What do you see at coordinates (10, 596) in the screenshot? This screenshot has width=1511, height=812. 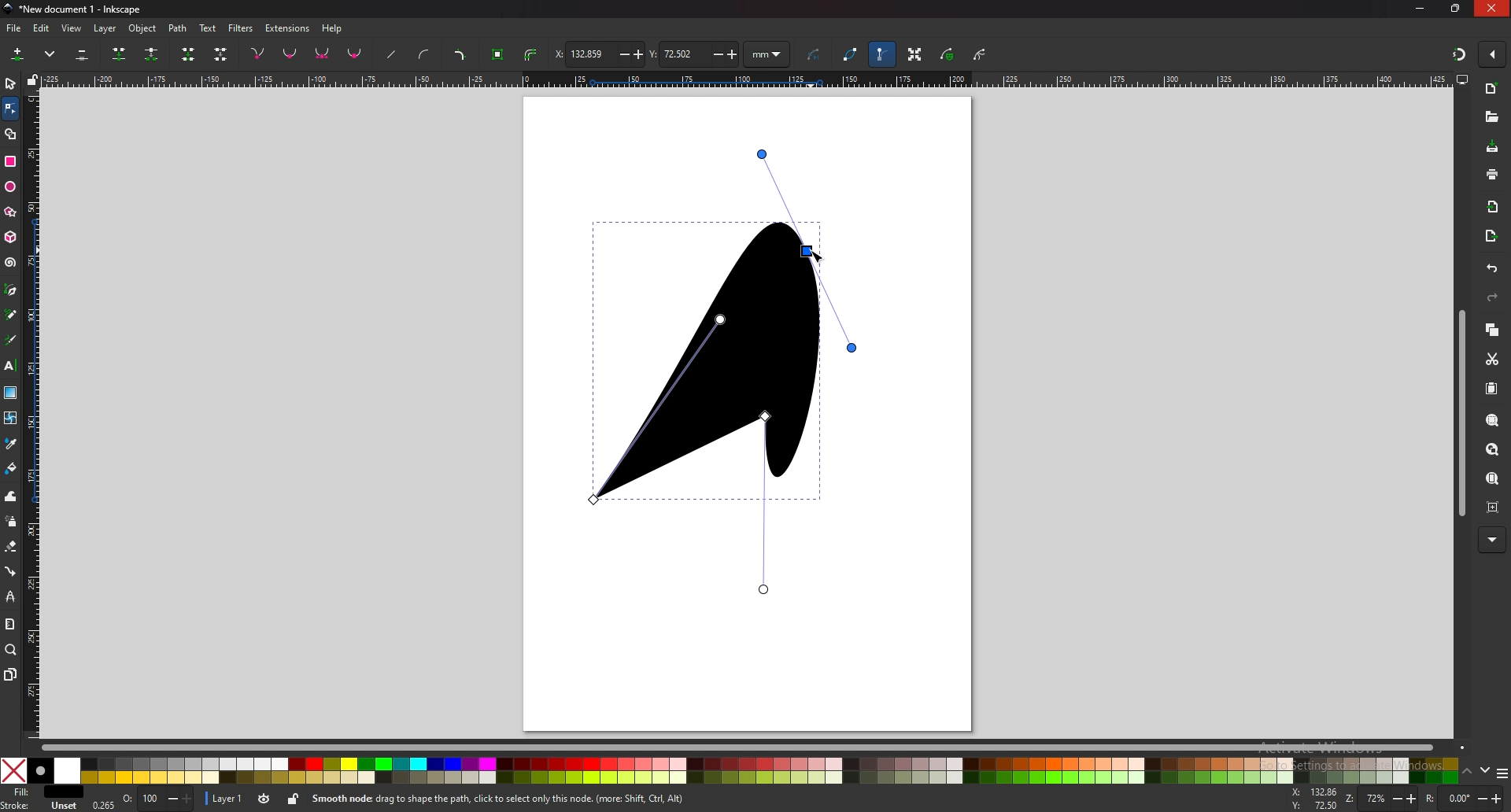 I see `lpe` at bounding box center [10, 596].